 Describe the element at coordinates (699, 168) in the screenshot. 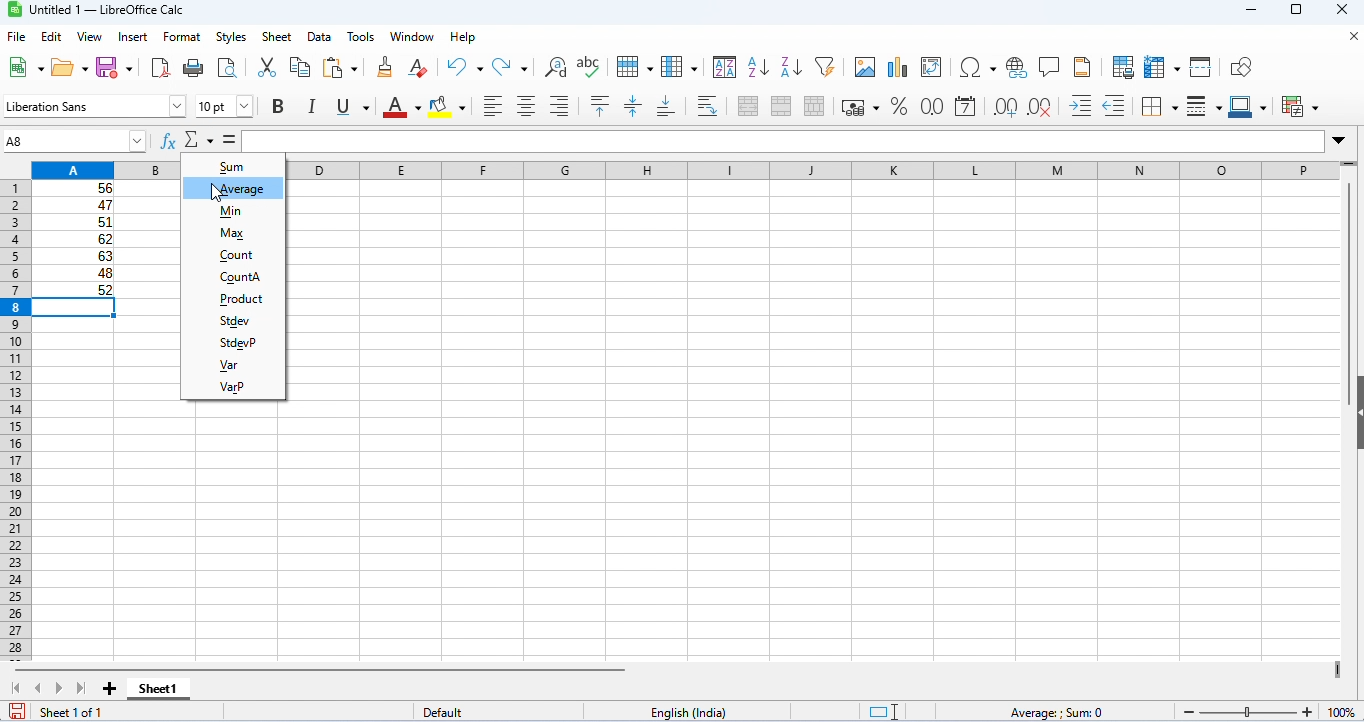

I see `column headings` at that location.